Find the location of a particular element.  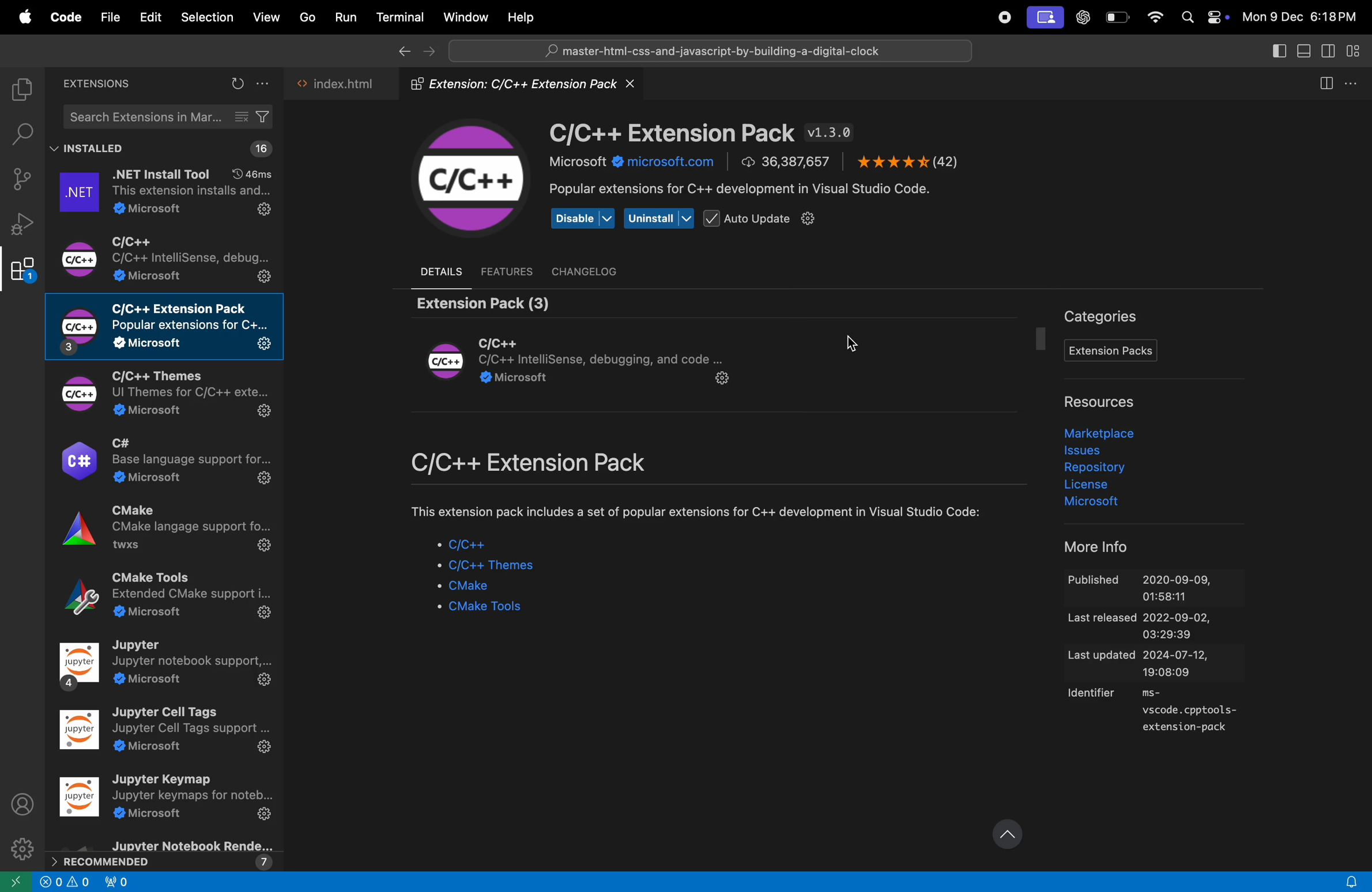

market place is located at coordinates (1105, 433).